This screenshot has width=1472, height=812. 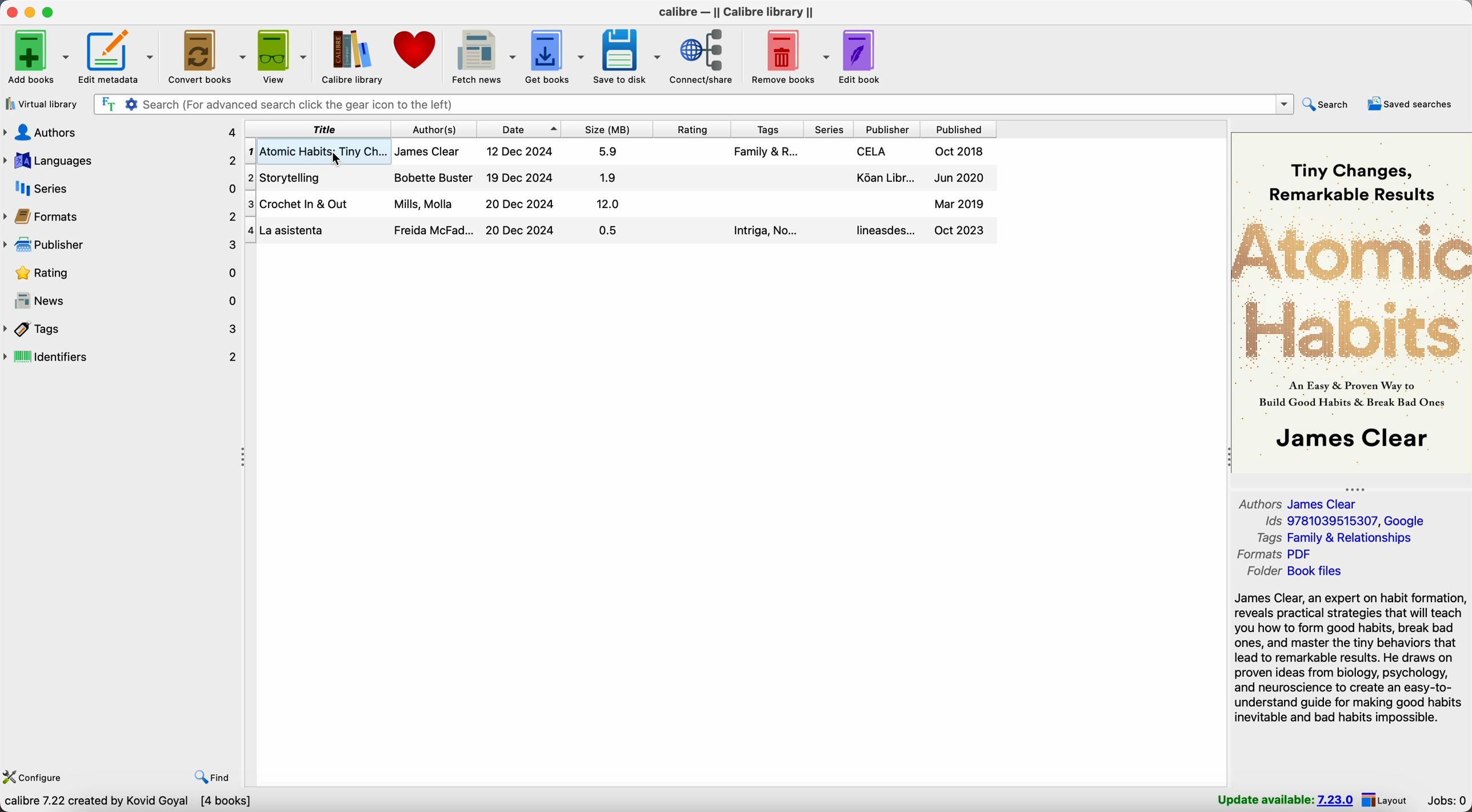 I want to click on title, so click(x=318, y=129).